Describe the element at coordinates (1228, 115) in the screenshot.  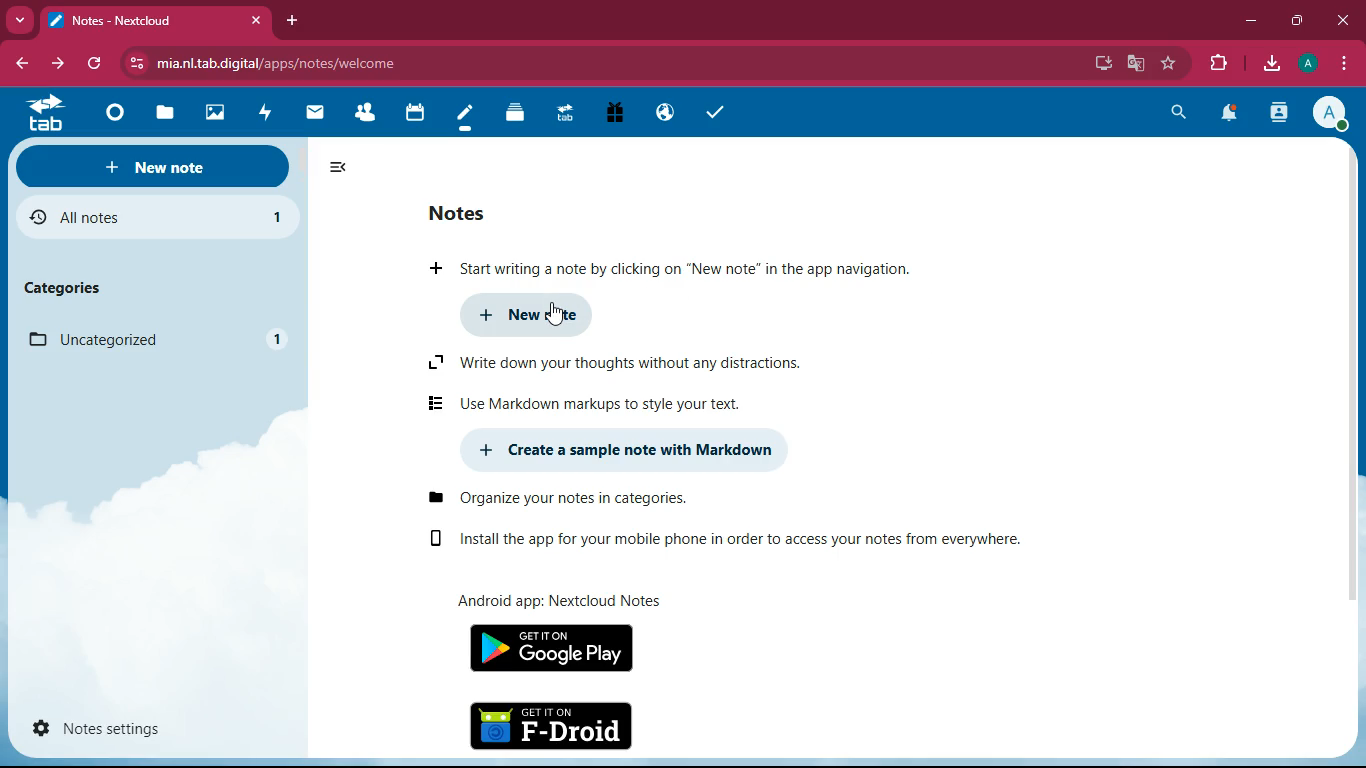
I see `notifications` at that location.